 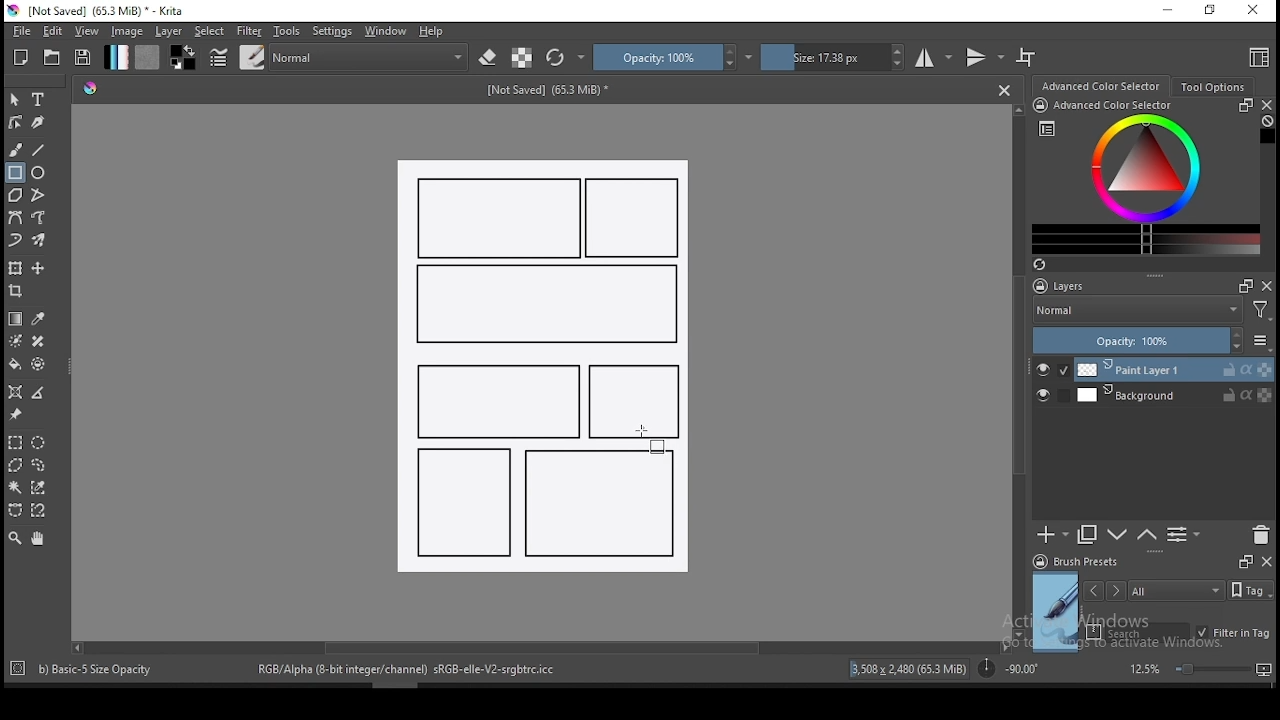 What do you see at coordinates (38, 269) in the screenshot?
I see `move a layer` at bounding box center [38, 269].